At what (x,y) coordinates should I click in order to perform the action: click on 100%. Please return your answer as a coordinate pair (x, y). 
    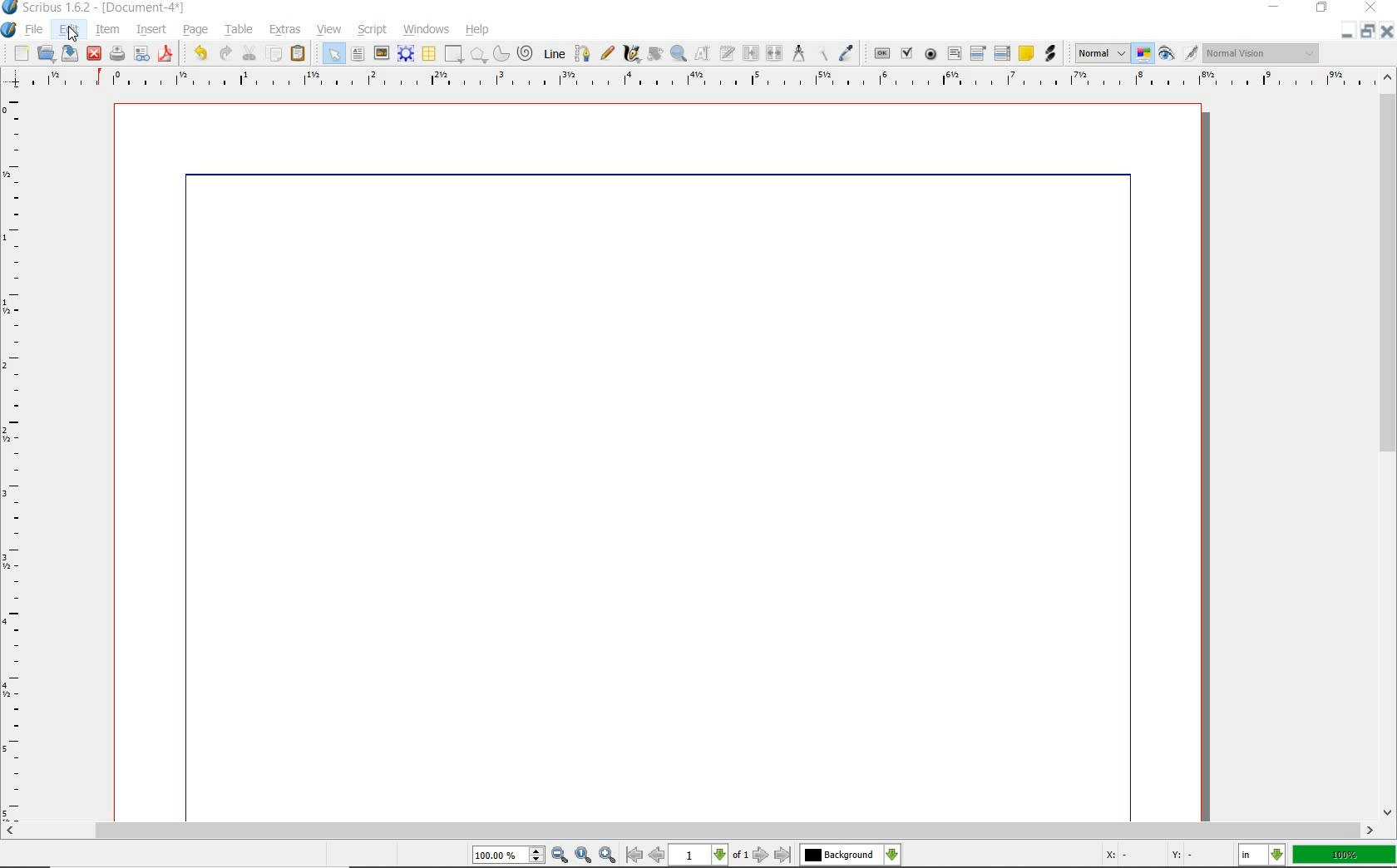
    Looking at the image, I should click on (1345, 855).